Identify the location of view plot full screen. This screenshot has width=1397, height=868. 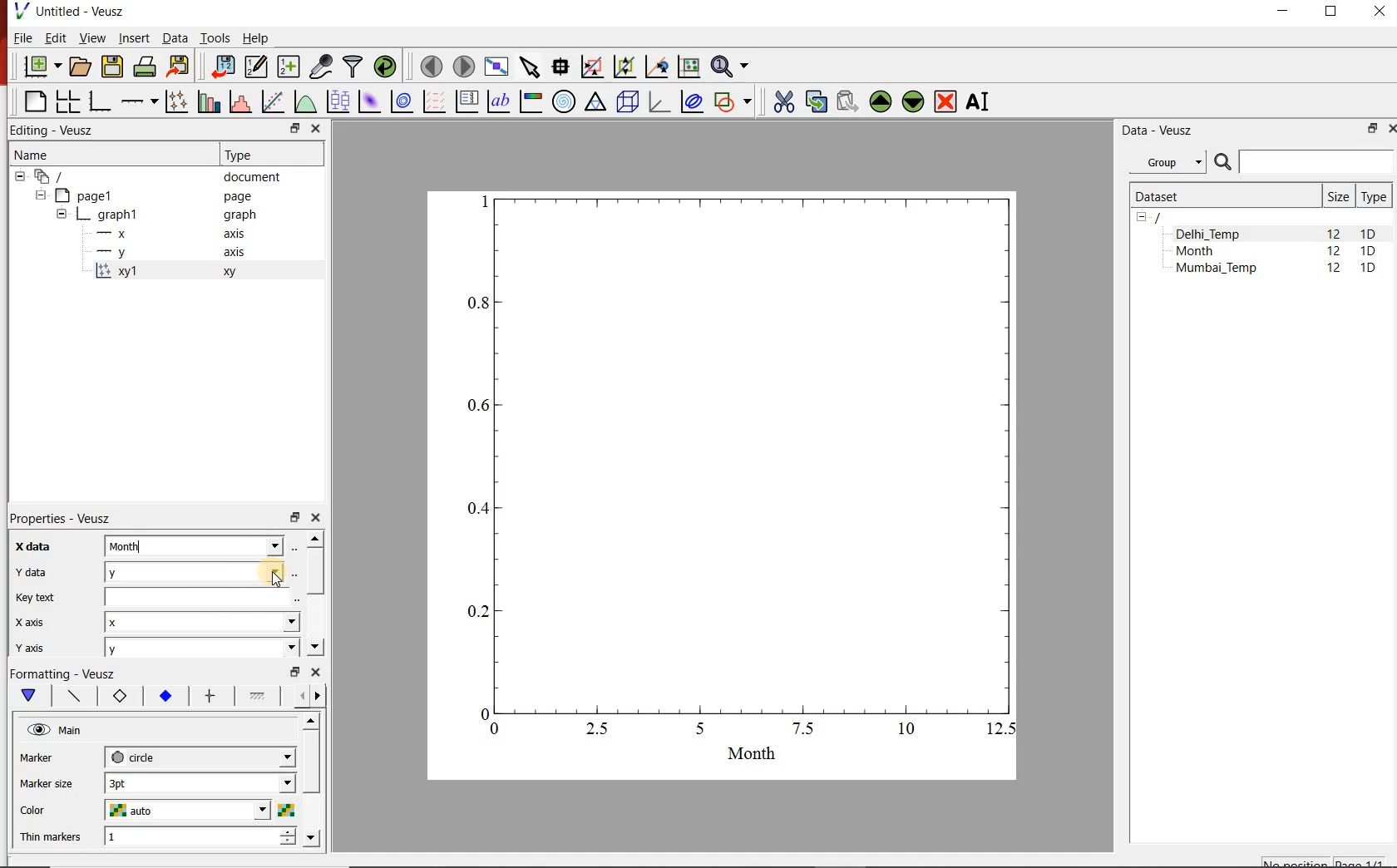
(496, 67).